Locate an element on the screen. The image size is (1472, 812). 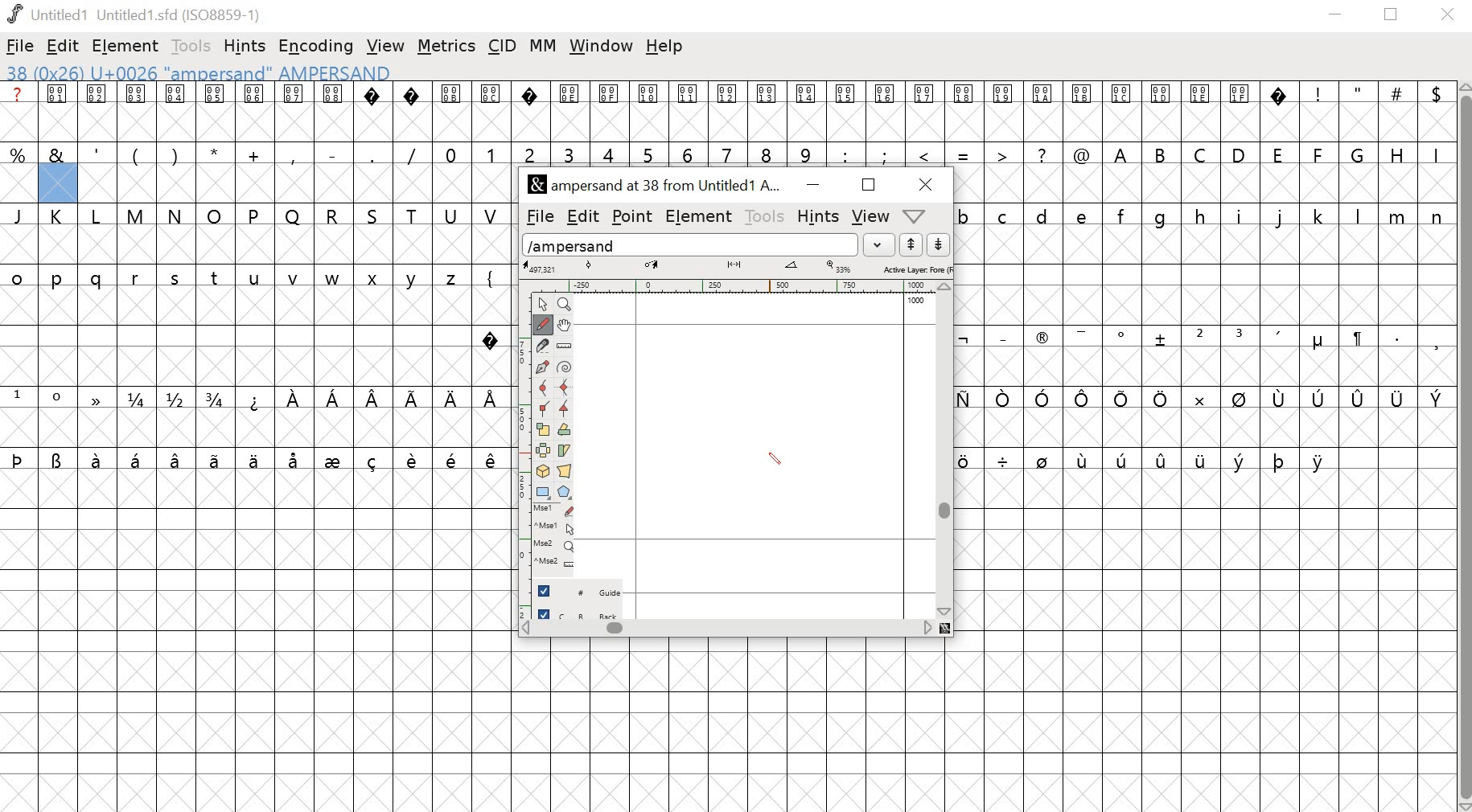
I is located at coordinates (1434, 154).